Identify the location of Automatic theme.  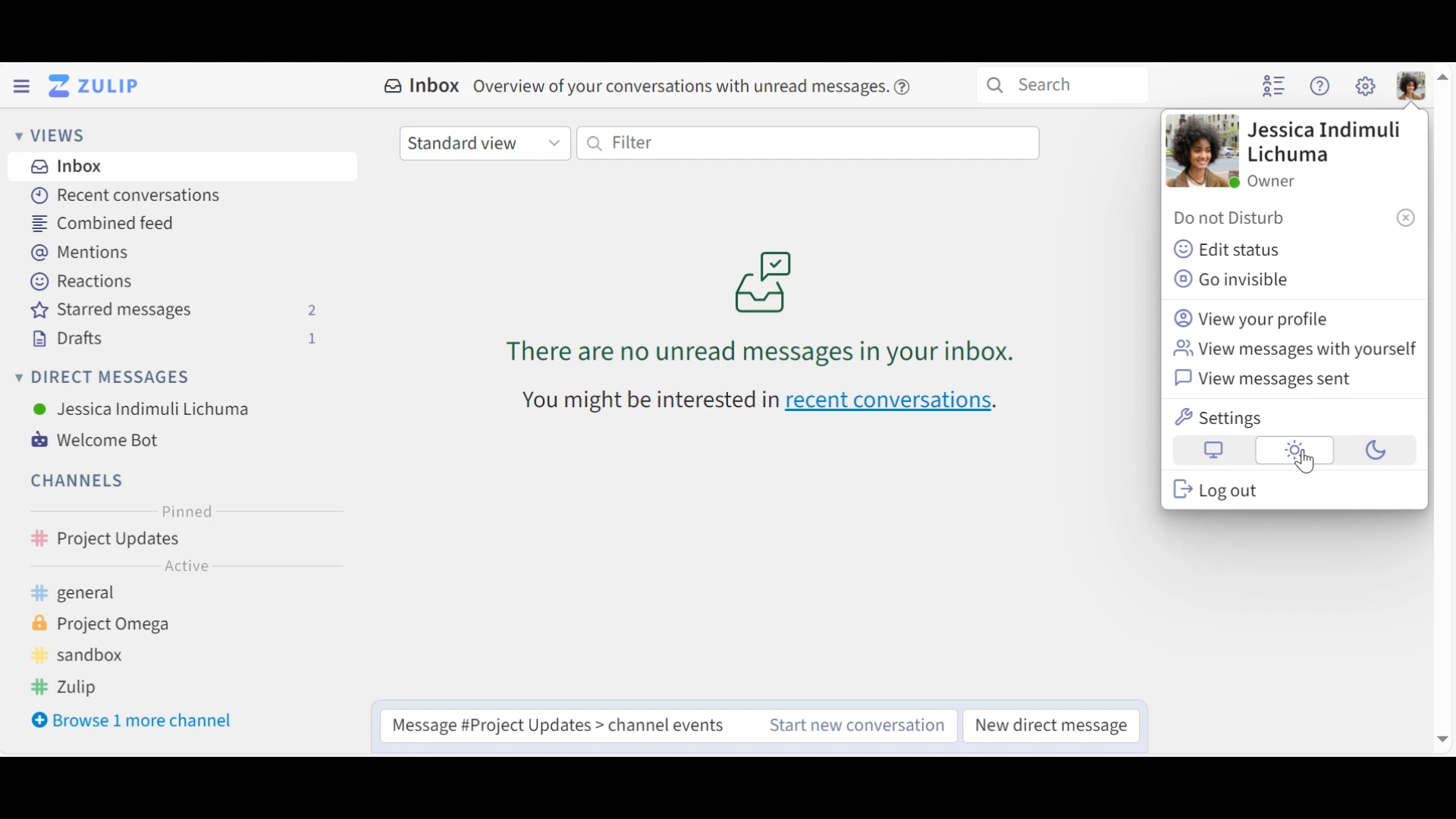
(1214, 451).